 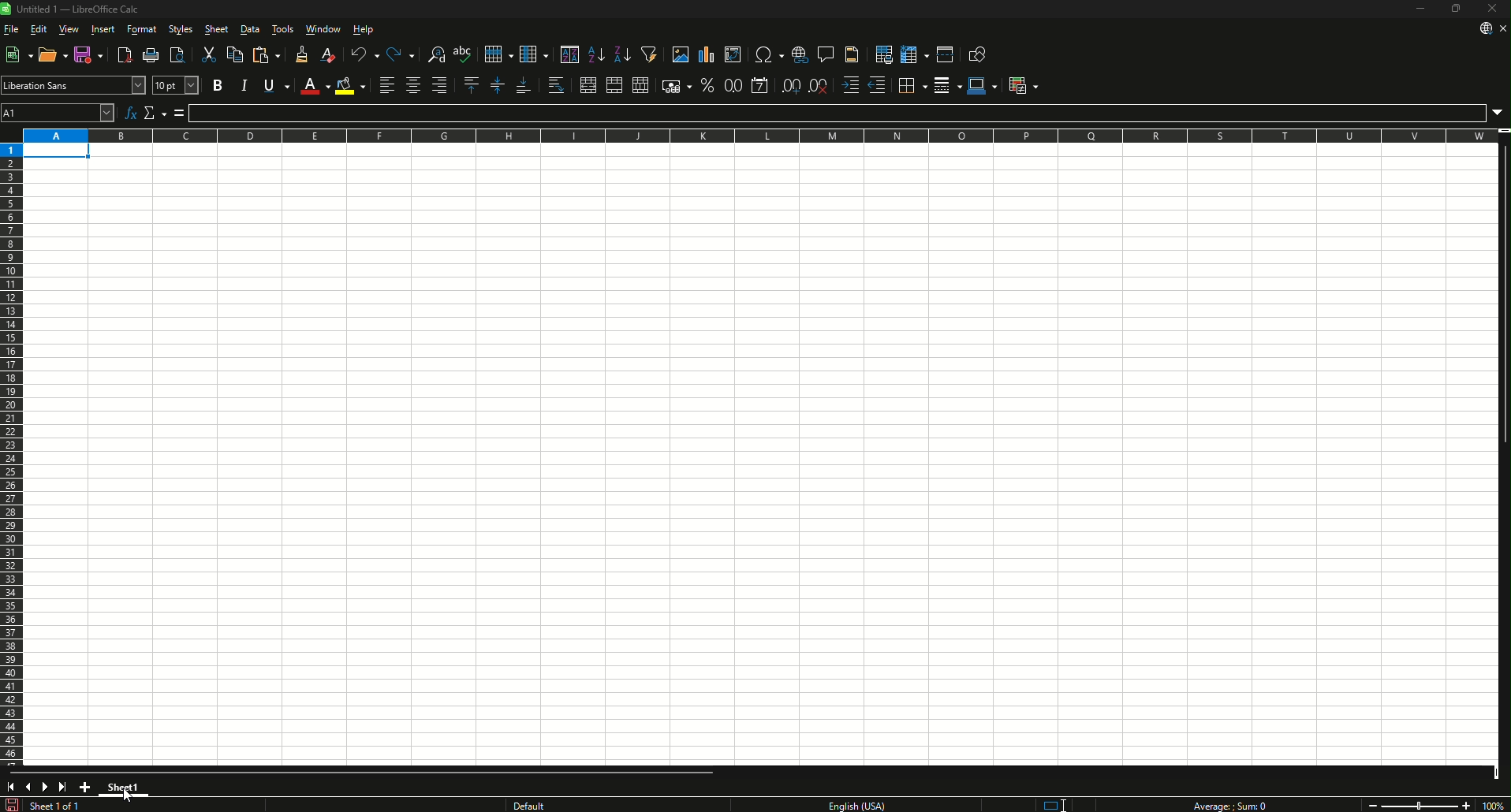 What do you see at coordinates (535, 54) in the screenshot?
I see `Column` at bounding box center [535, 54].